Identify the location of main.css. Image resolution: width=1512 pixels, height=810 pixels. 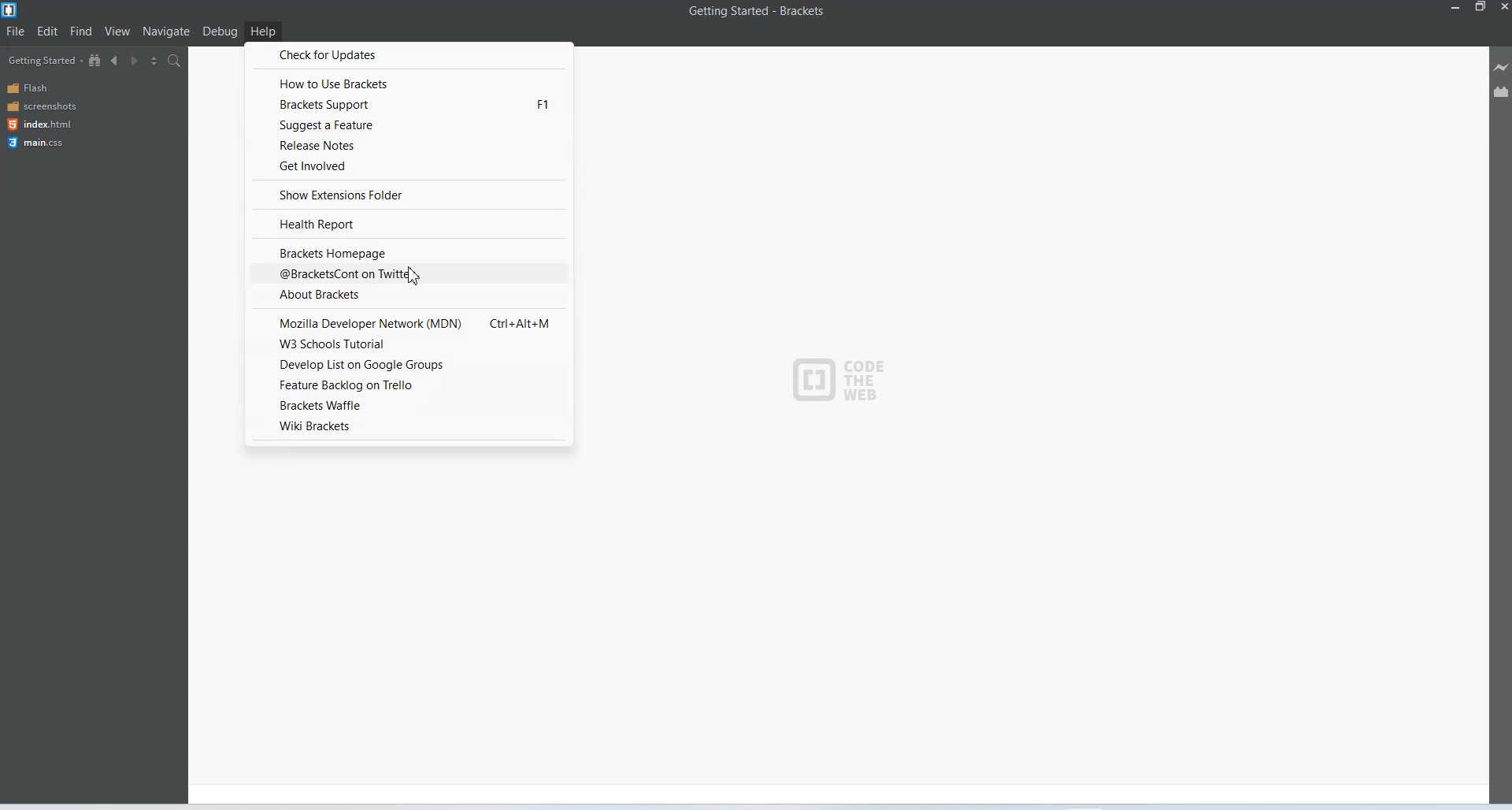
(40, 143).